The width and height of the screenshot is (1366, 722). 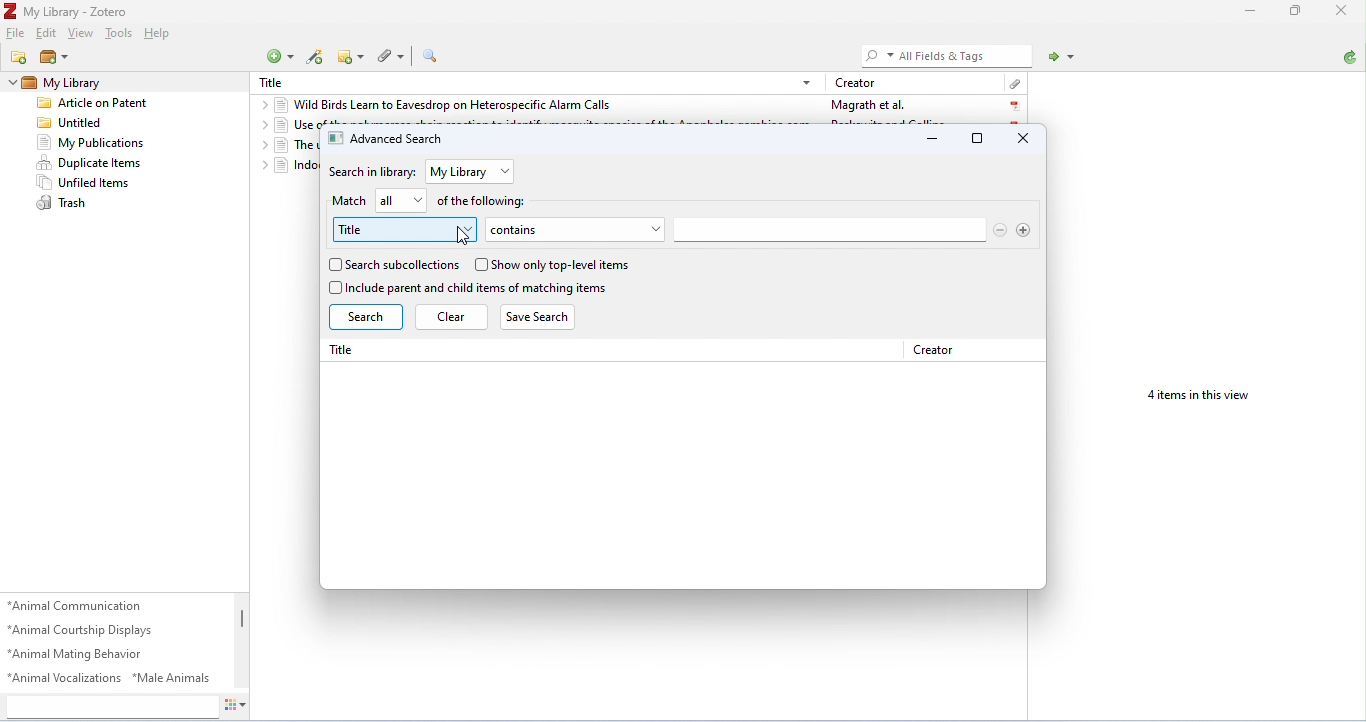 I want to click on my library, so click(x=68, y=84).